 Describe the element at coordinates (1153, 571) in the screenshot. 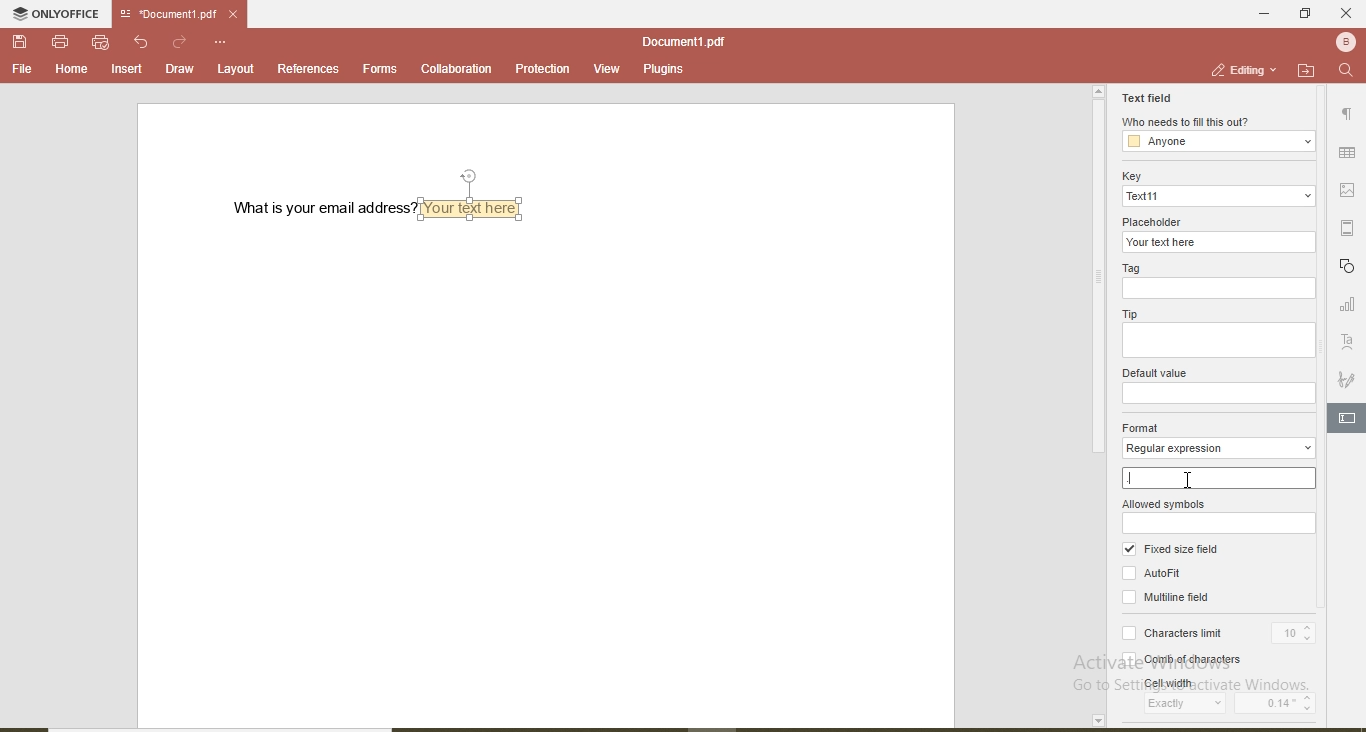

I see `Autofit` at that location.